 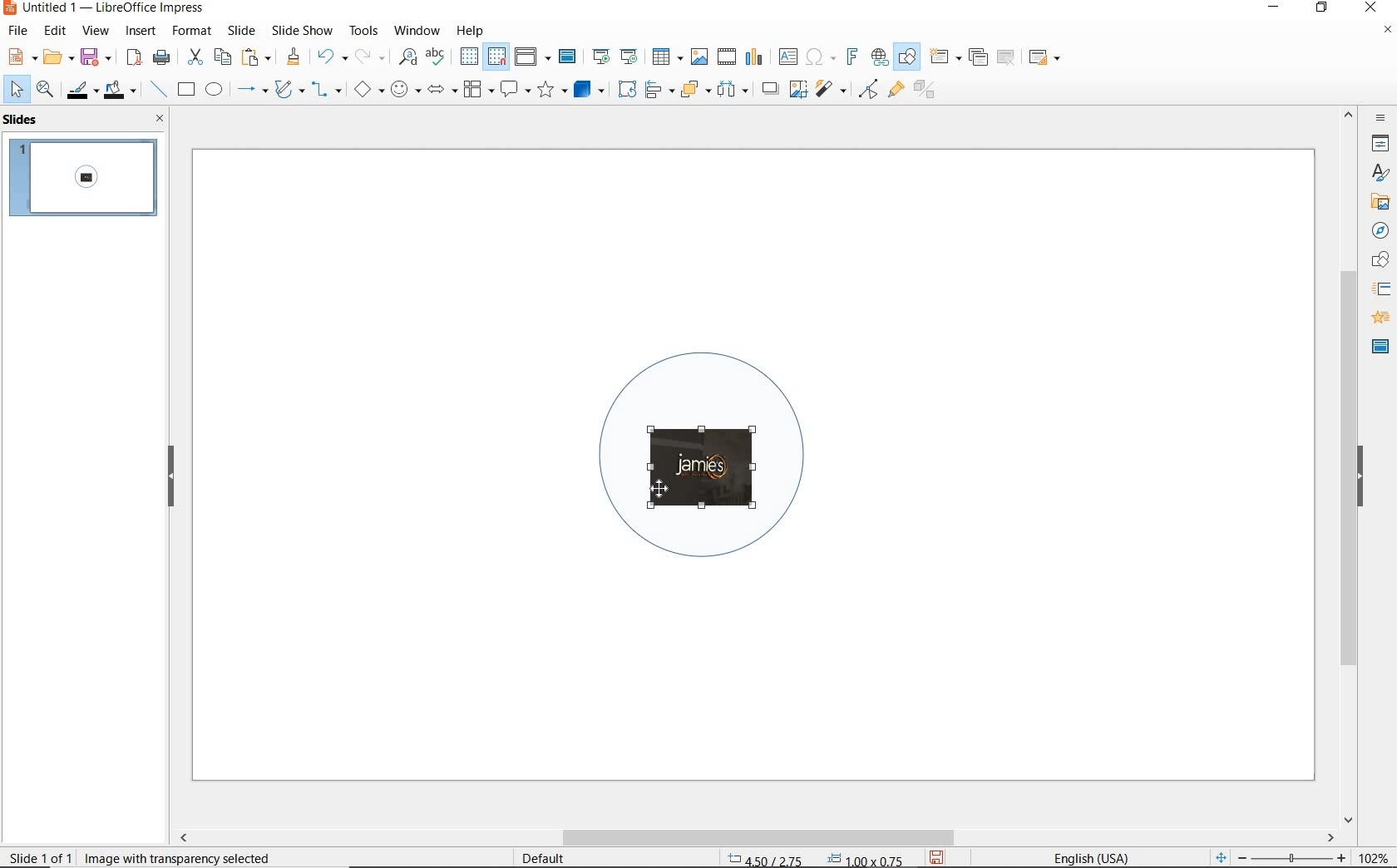 I want to click on coordinates, so click(x=813, y=860).